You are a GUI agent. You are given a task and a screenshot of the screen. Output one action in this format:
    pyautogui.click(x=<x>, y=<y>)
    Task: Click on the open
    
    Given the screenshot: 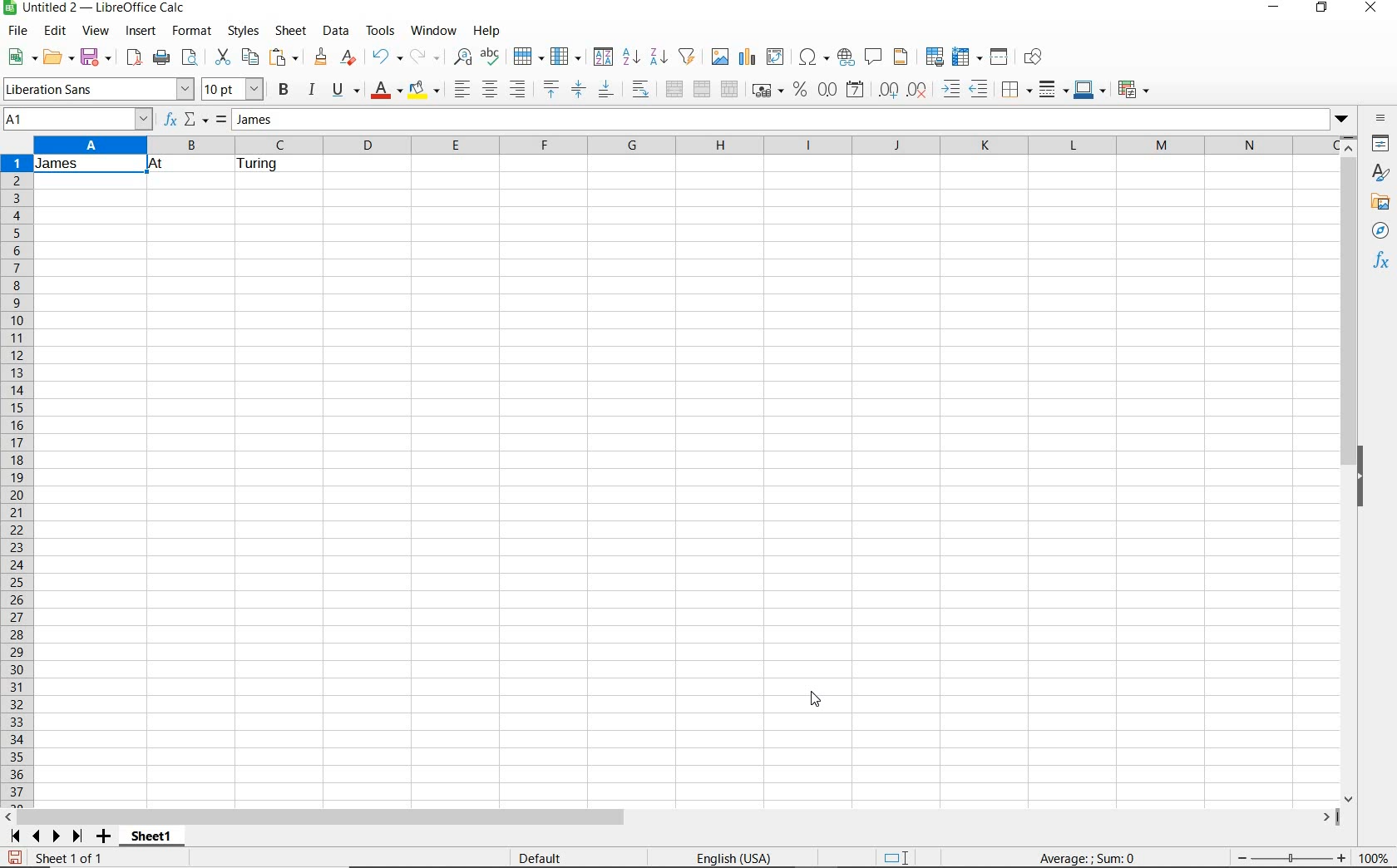 What is the action you would take?
    pyautogui.click(x=58, y=57)
    